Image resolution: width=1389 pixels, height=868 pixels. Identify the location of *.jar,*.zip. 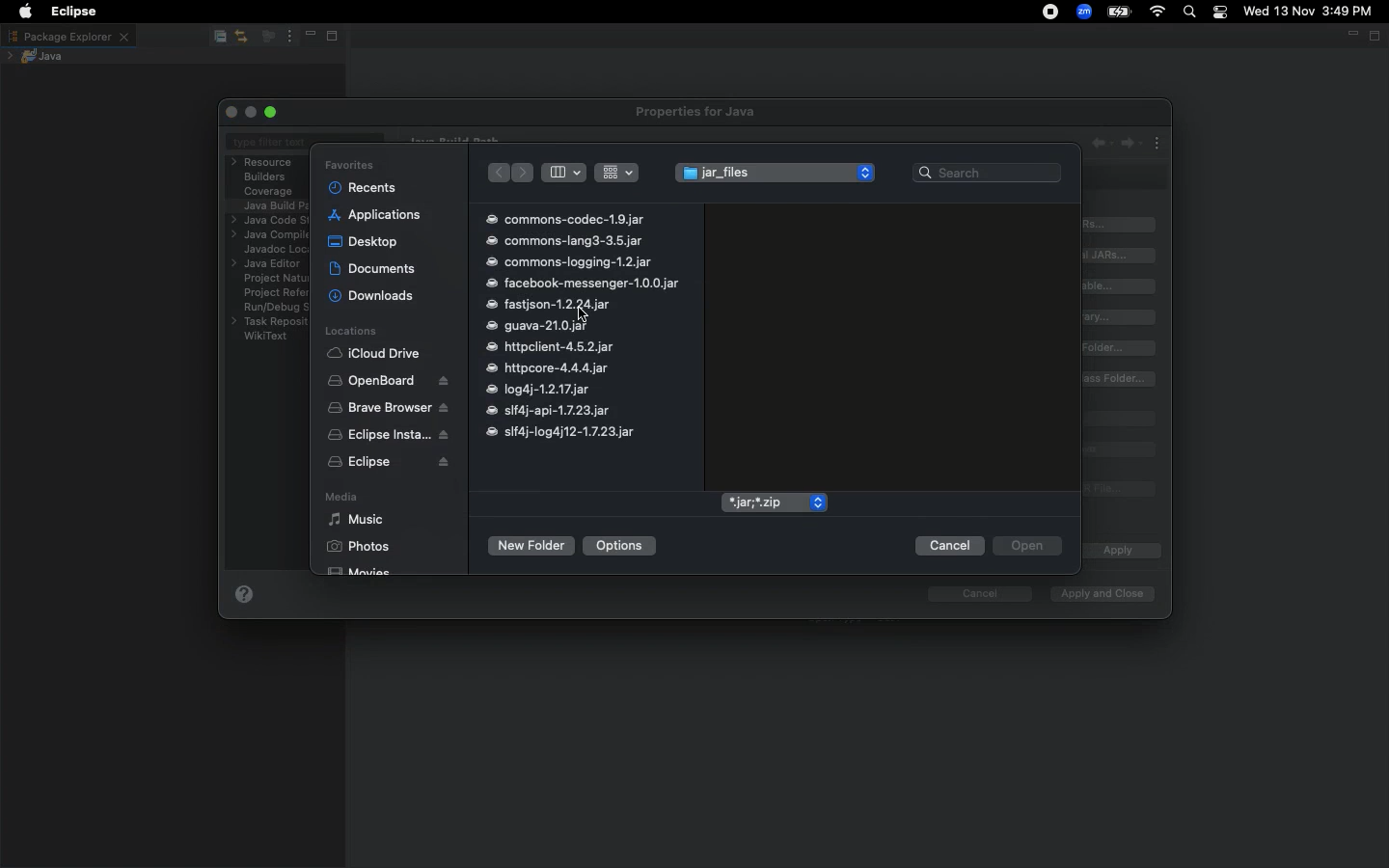
(763, 502).